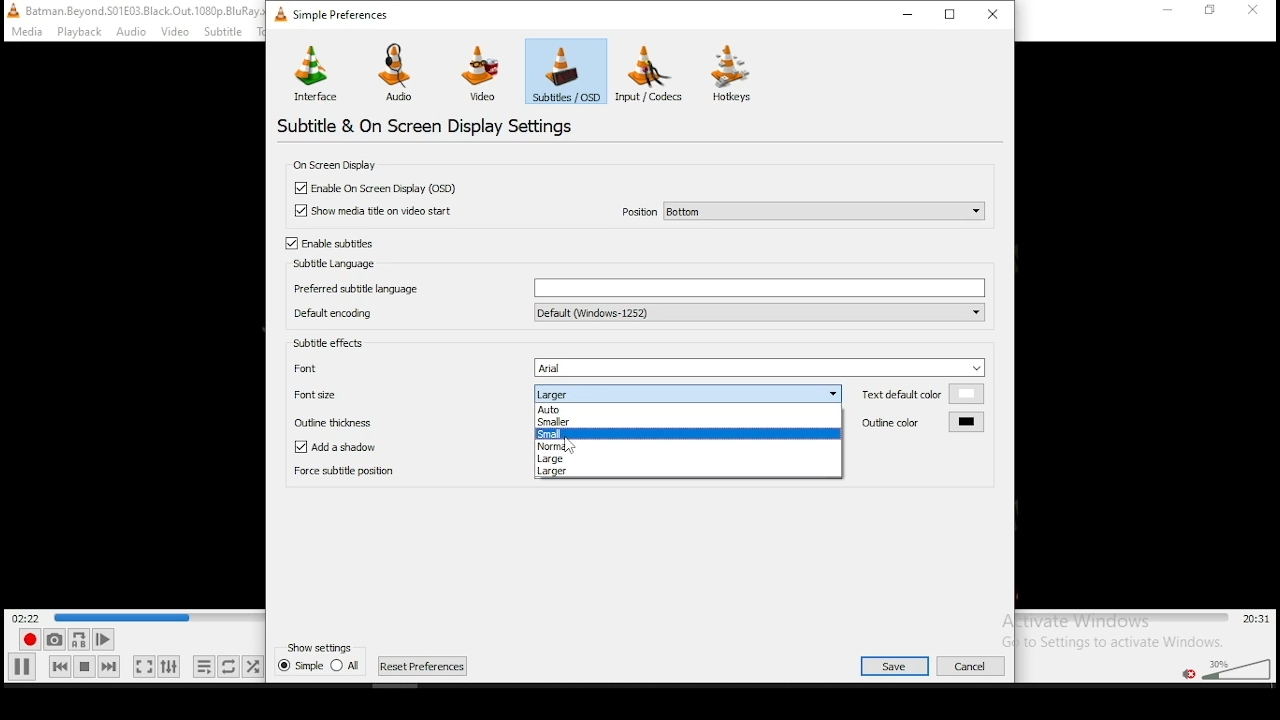  What do you see at coordinates (733, 73) in the screenshot?
I see `hotkeys` at bounding box center [733, 73].